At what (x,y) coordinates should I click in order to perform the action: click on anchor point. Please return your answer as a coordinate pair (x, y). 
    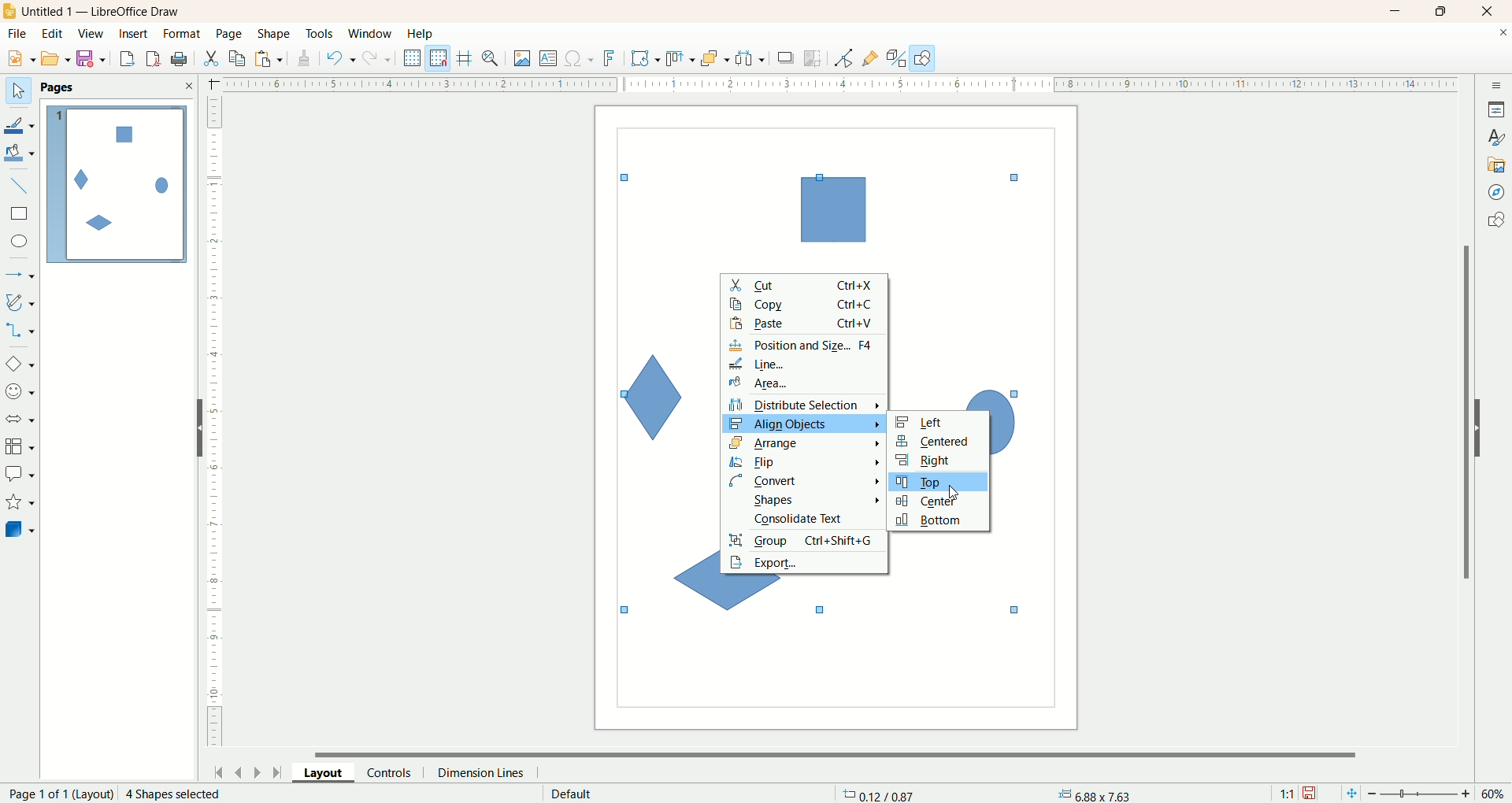
    Looking at the image, I should click on (1092, 794).